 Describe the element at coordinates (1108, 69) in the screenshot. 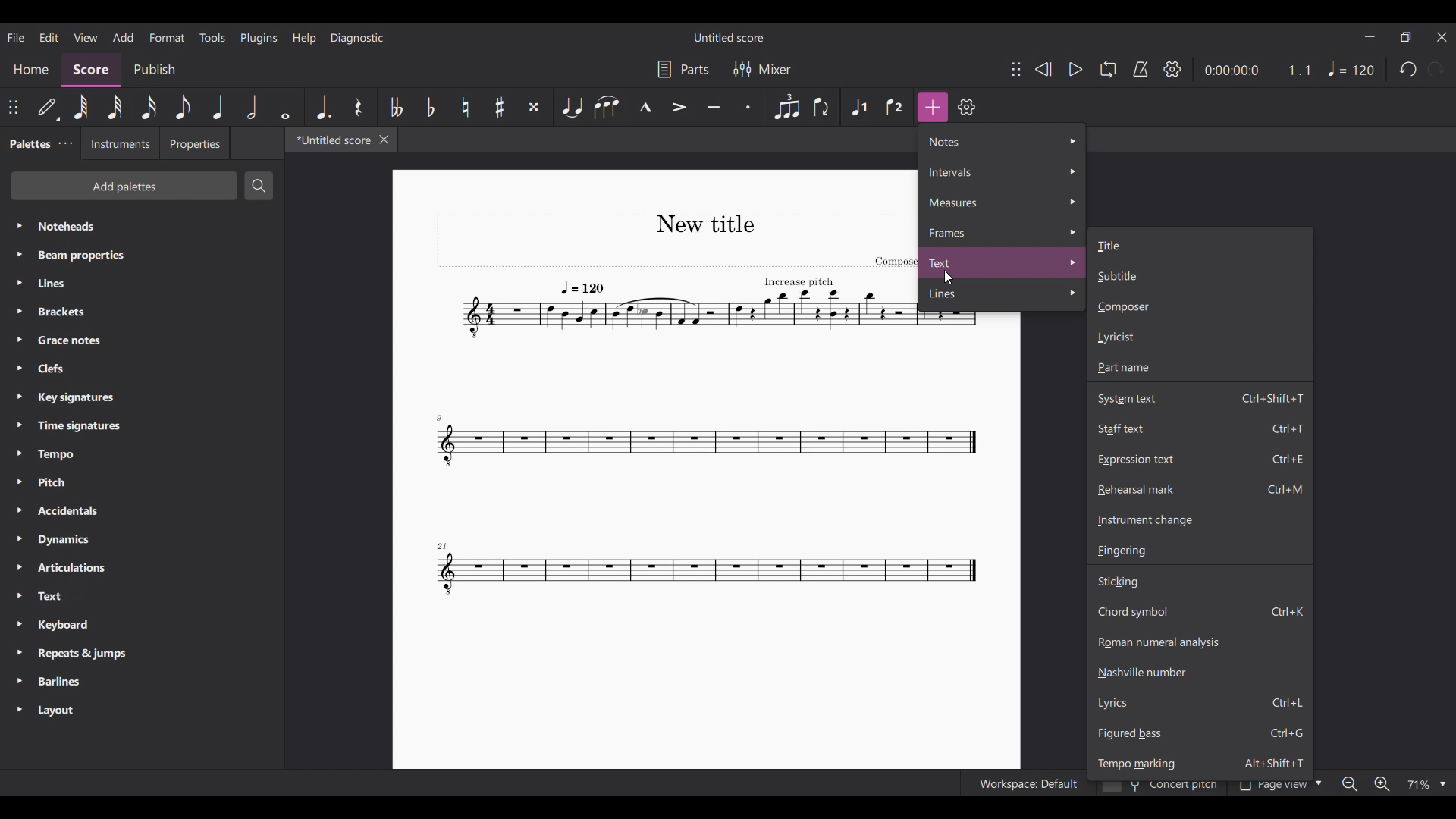

I see `Loop playback` at that location.